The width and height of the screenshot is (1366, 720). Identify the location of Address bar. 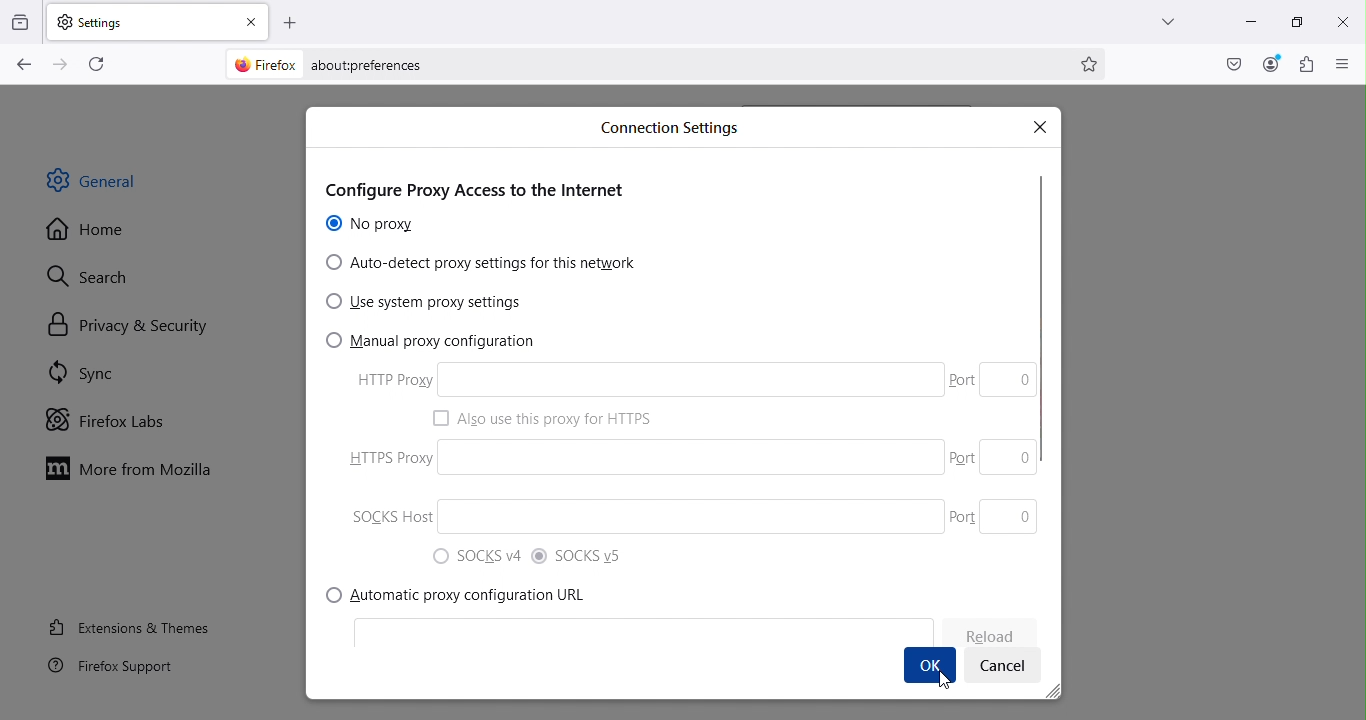
(637, 62).